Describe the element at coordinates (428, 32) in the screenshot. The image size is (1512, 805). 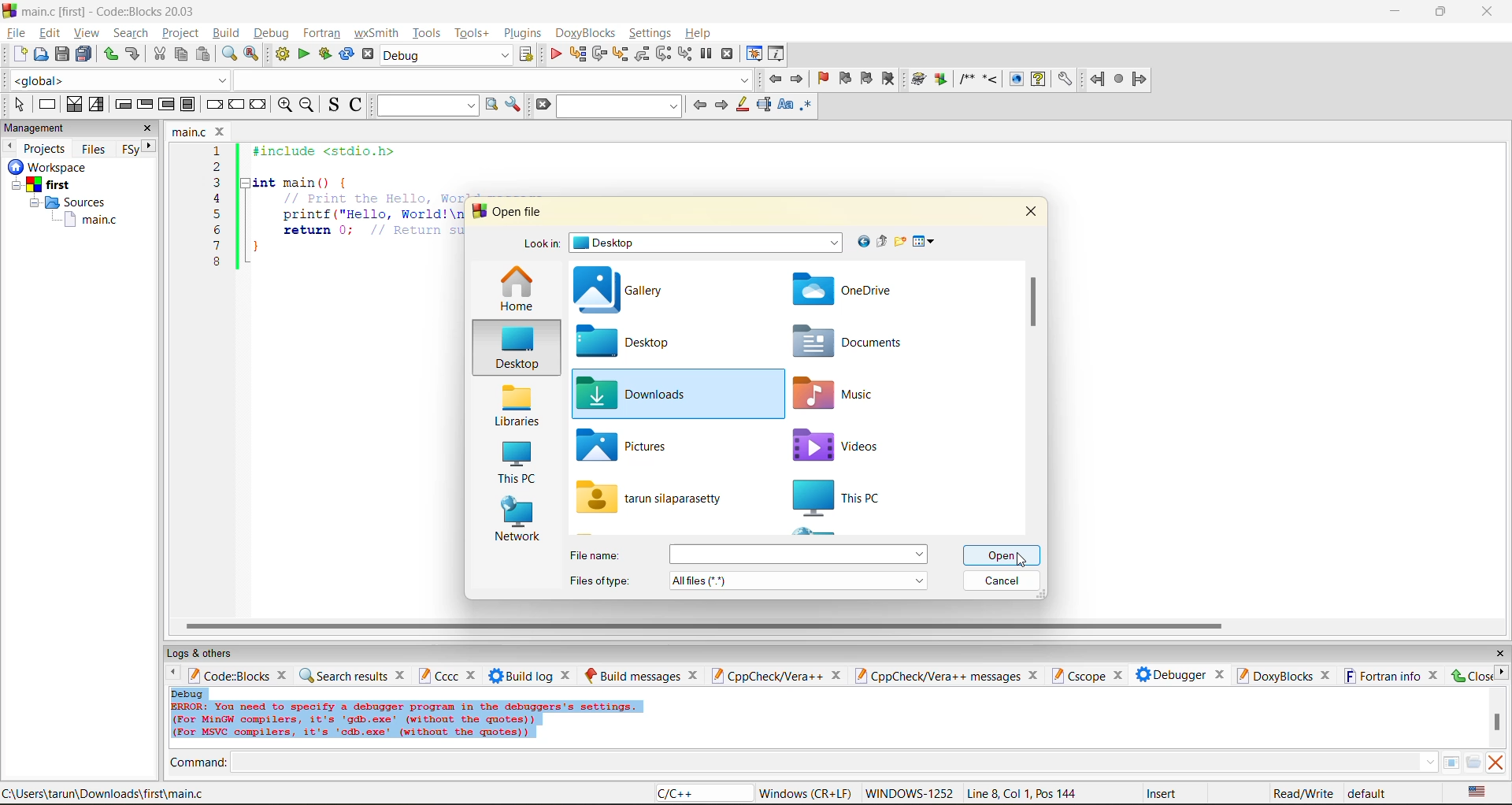
I see `tools` at that location.